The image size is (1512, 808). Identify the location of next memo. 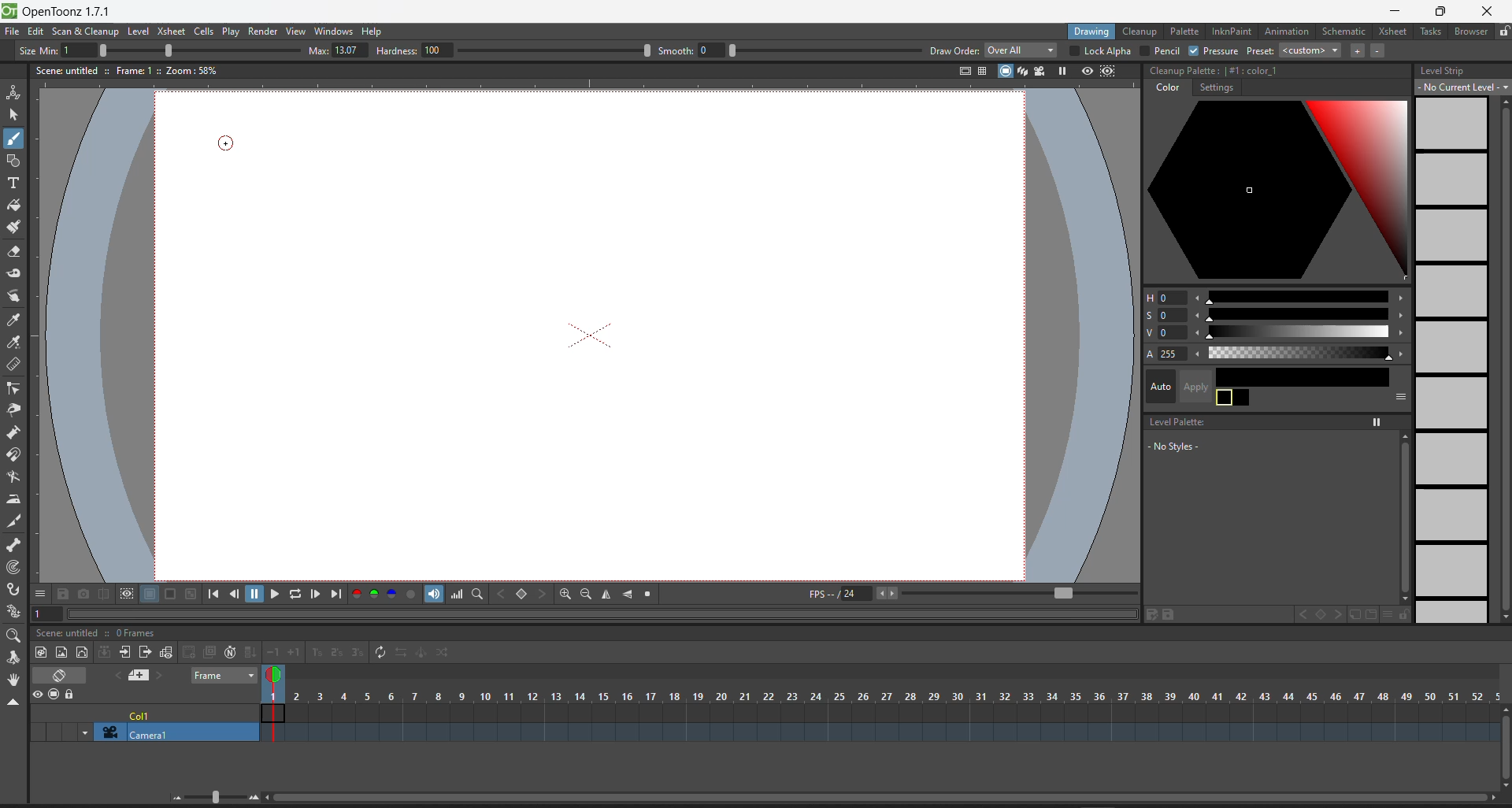
(161, 675).